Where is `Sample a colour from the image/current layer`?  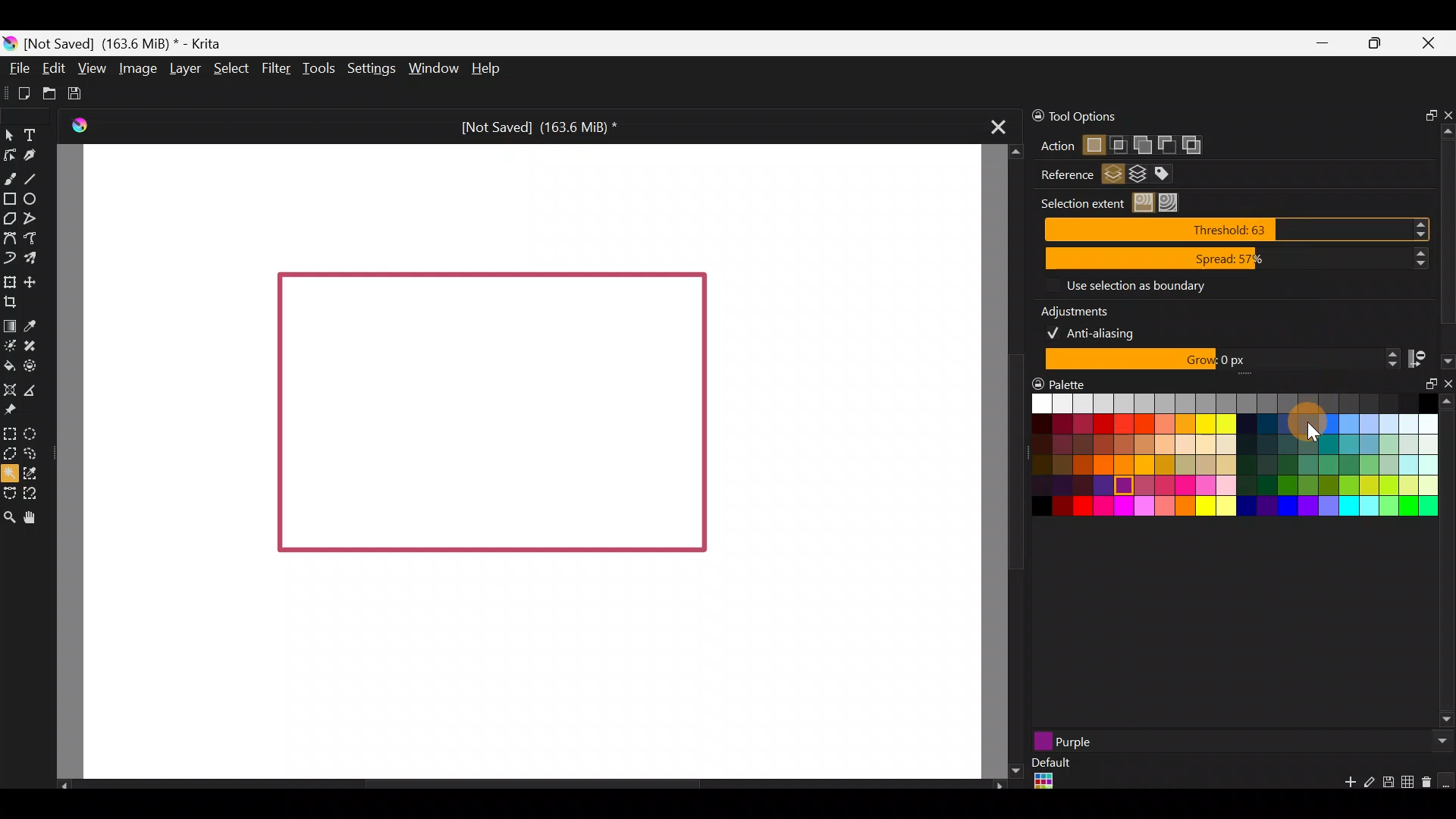
Sample a colour from the image/current layer is located at coordinates (33, 323).